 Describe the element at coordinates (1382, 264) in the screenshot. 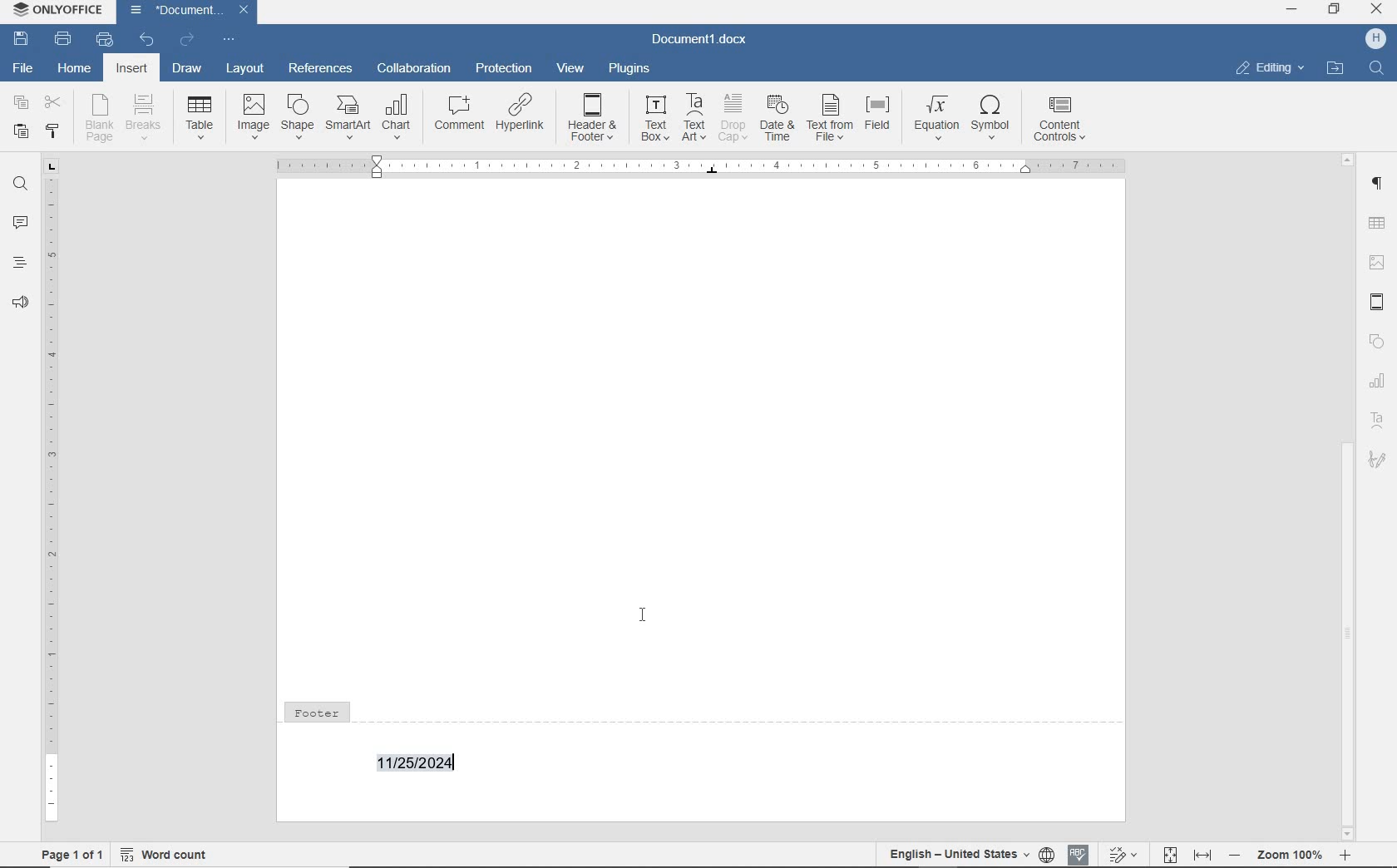

I see `image` at that location.